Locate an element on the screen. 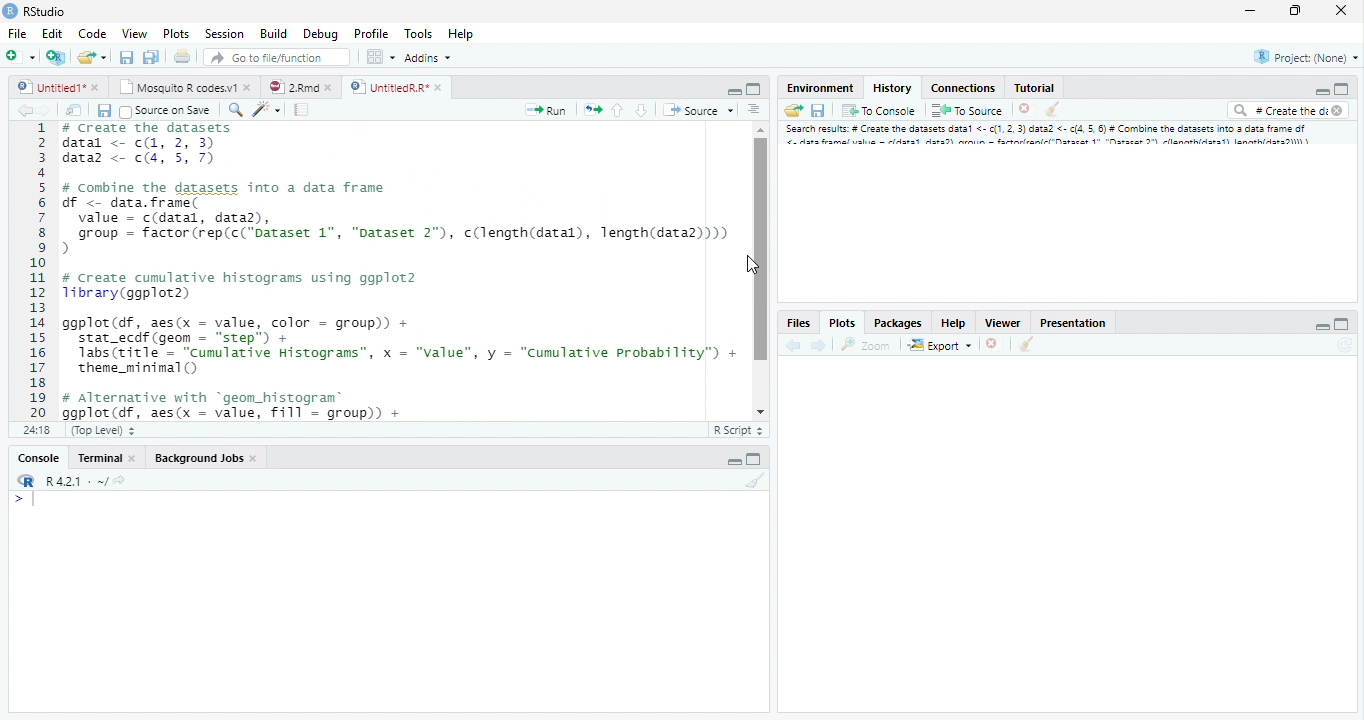 This screenshot has width=1364, height=720. Alignment is located at coordinates (755, 113).